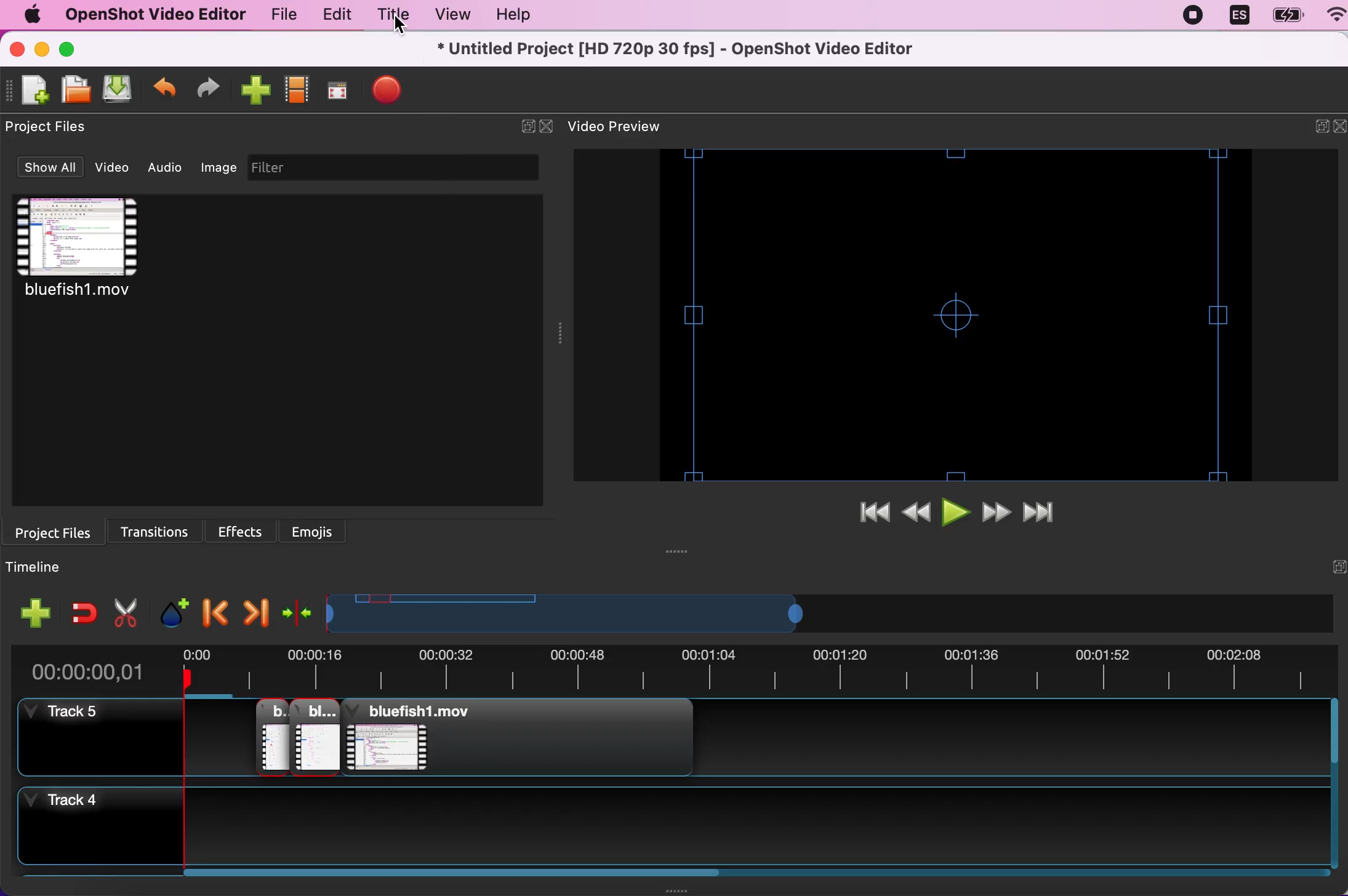  Describe the element at coordinates (149, 14) in the screenshot. I see `openshot video editor` at that location.